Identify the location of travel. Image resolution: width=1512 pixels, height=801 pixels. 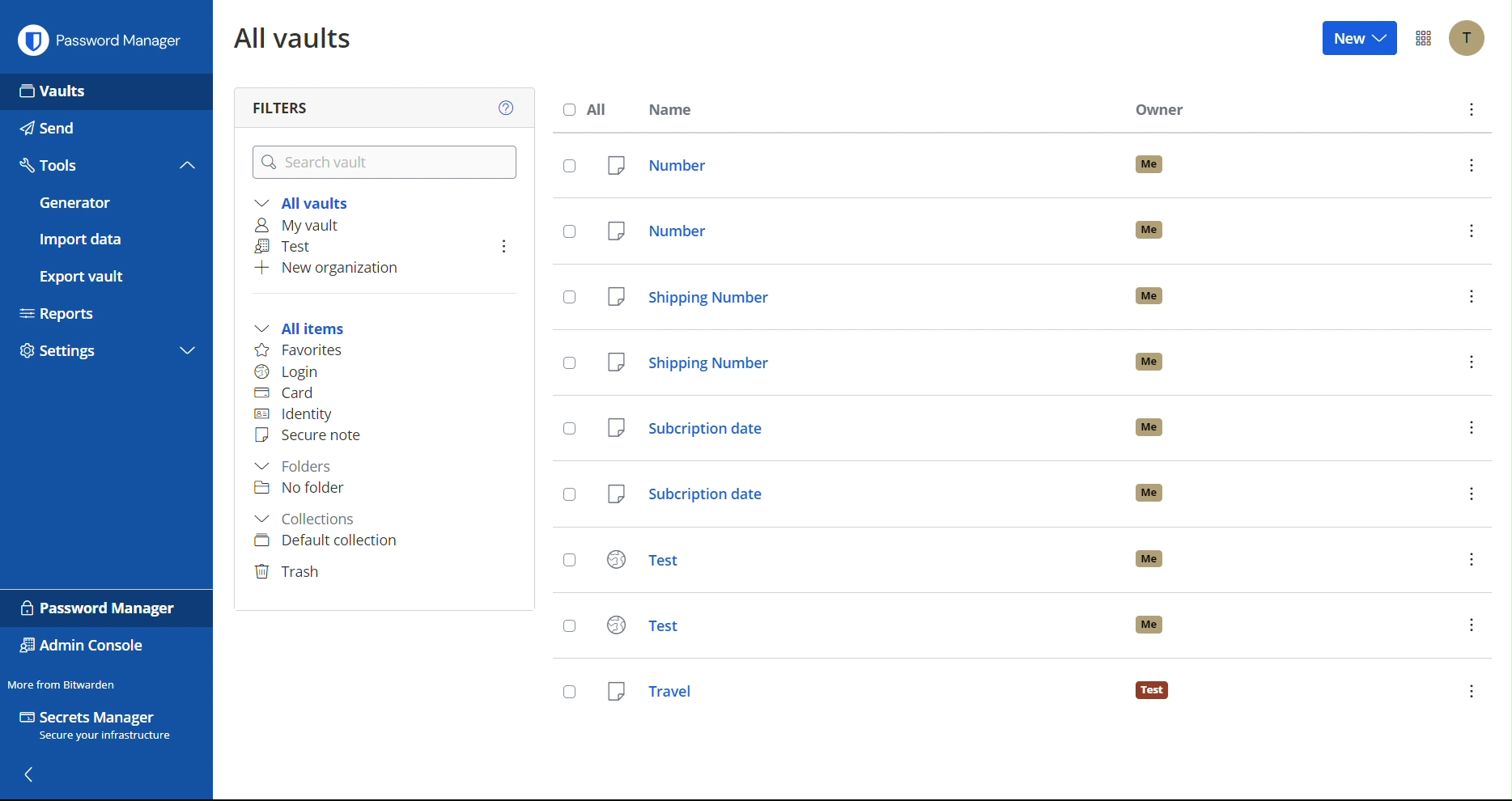
(855, 688).